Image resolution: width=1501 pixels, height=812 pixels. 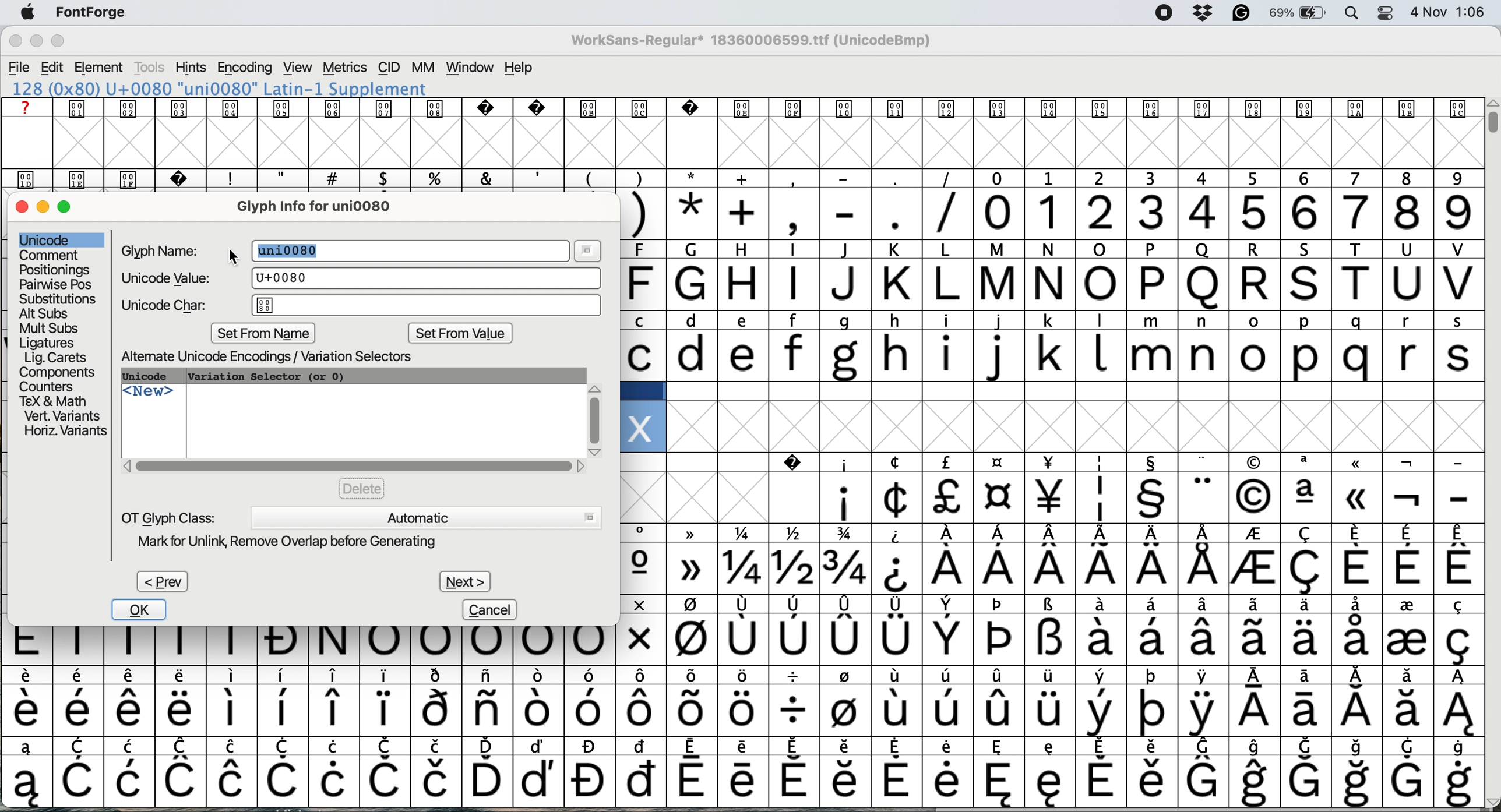 I want to click on dropbox, so click(x=1201, y=13).